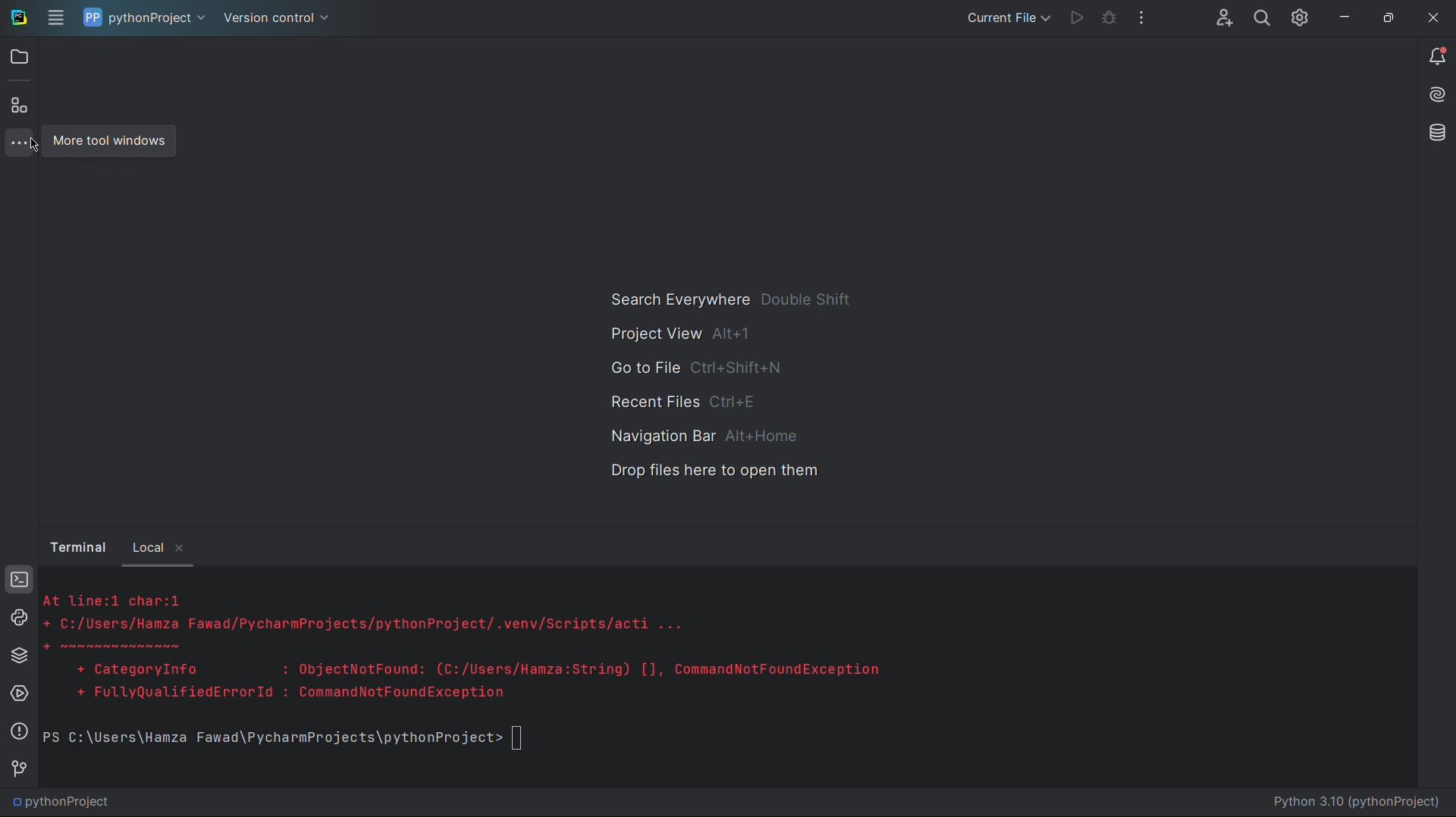 The width and height of the screenshot is (1456, 817). What do you see at coordinates (21, 104) in the screenshot?
I see `Structure` at bounding box center [21, 104].